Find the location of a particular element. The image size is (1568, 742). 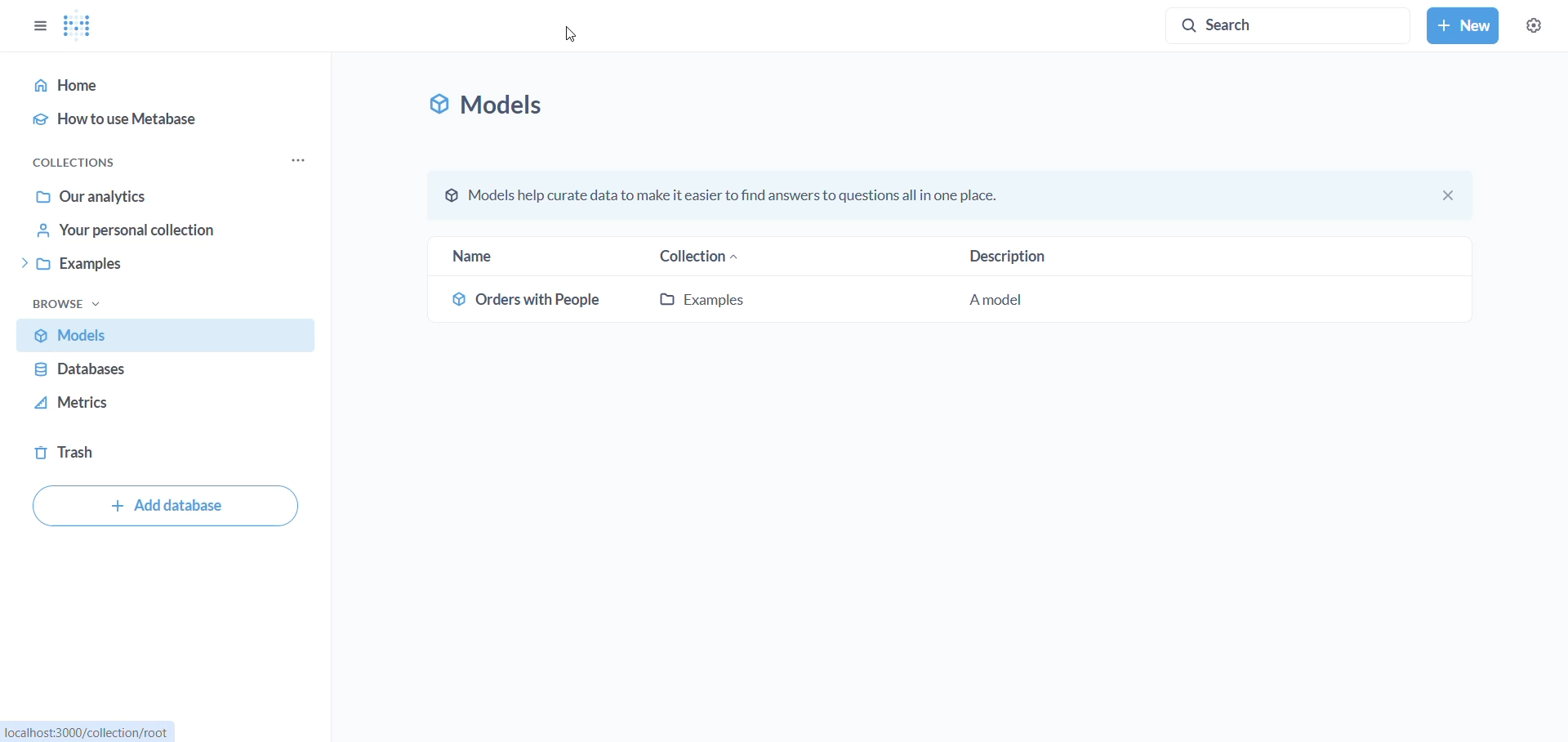

new button is located at coordinates (1462, 25).